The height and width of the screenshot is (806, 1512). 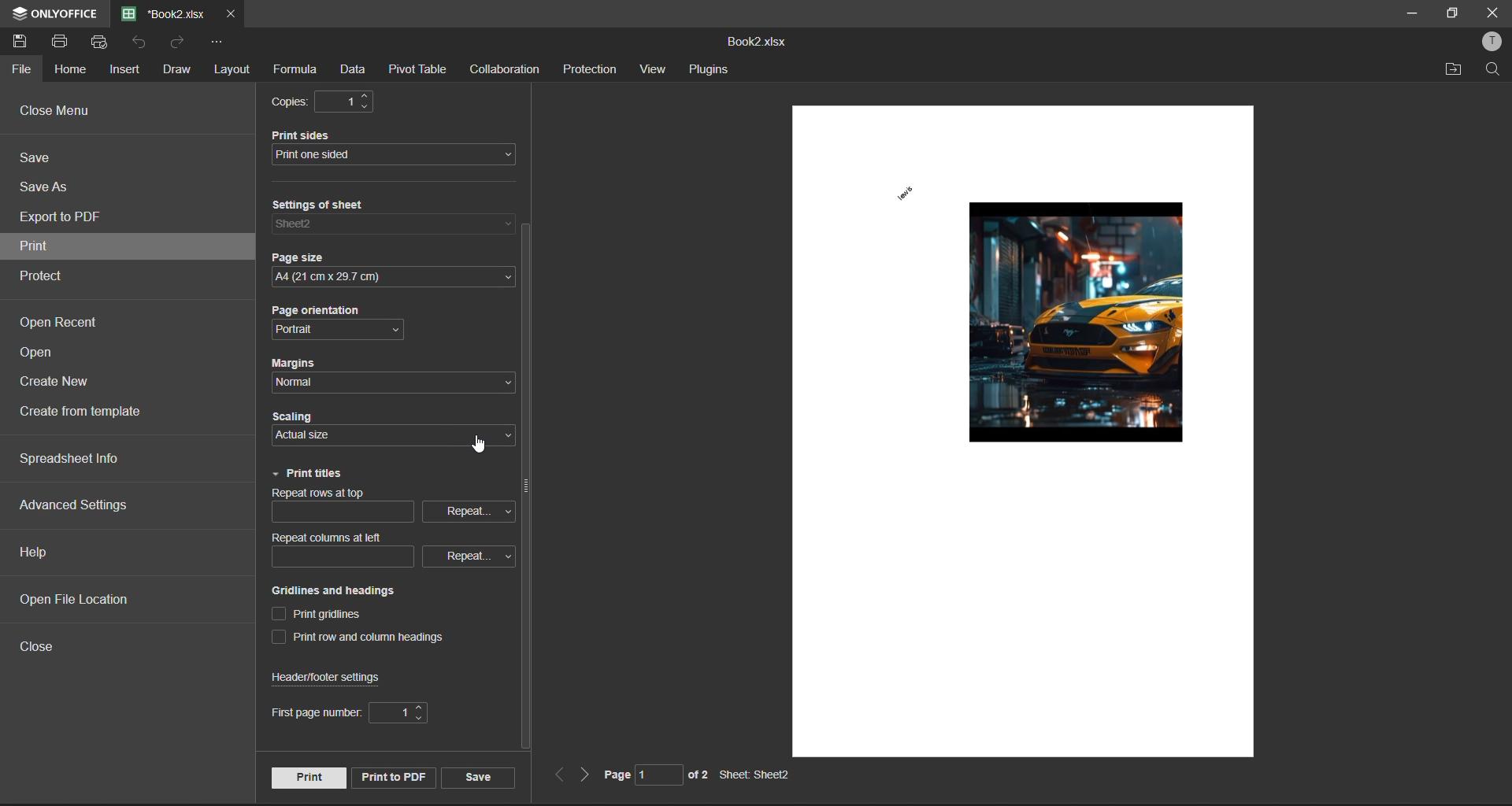 What do you see at coordinates (316, 135) in the screenshot?
I see `print sides` at bounding box center [316, 135].